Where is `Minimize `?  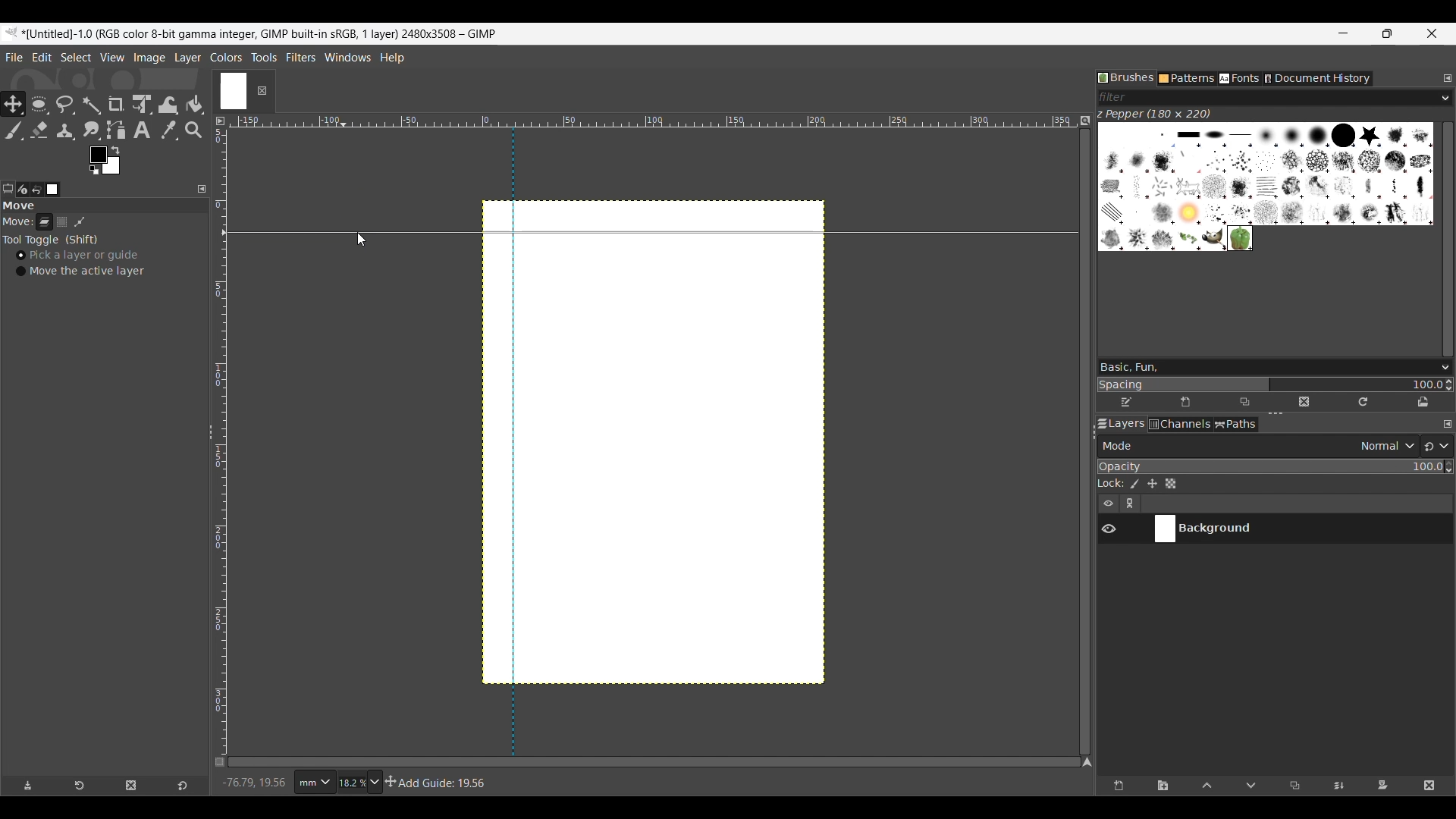
Minimize  is located at coordinates (1344, 33).